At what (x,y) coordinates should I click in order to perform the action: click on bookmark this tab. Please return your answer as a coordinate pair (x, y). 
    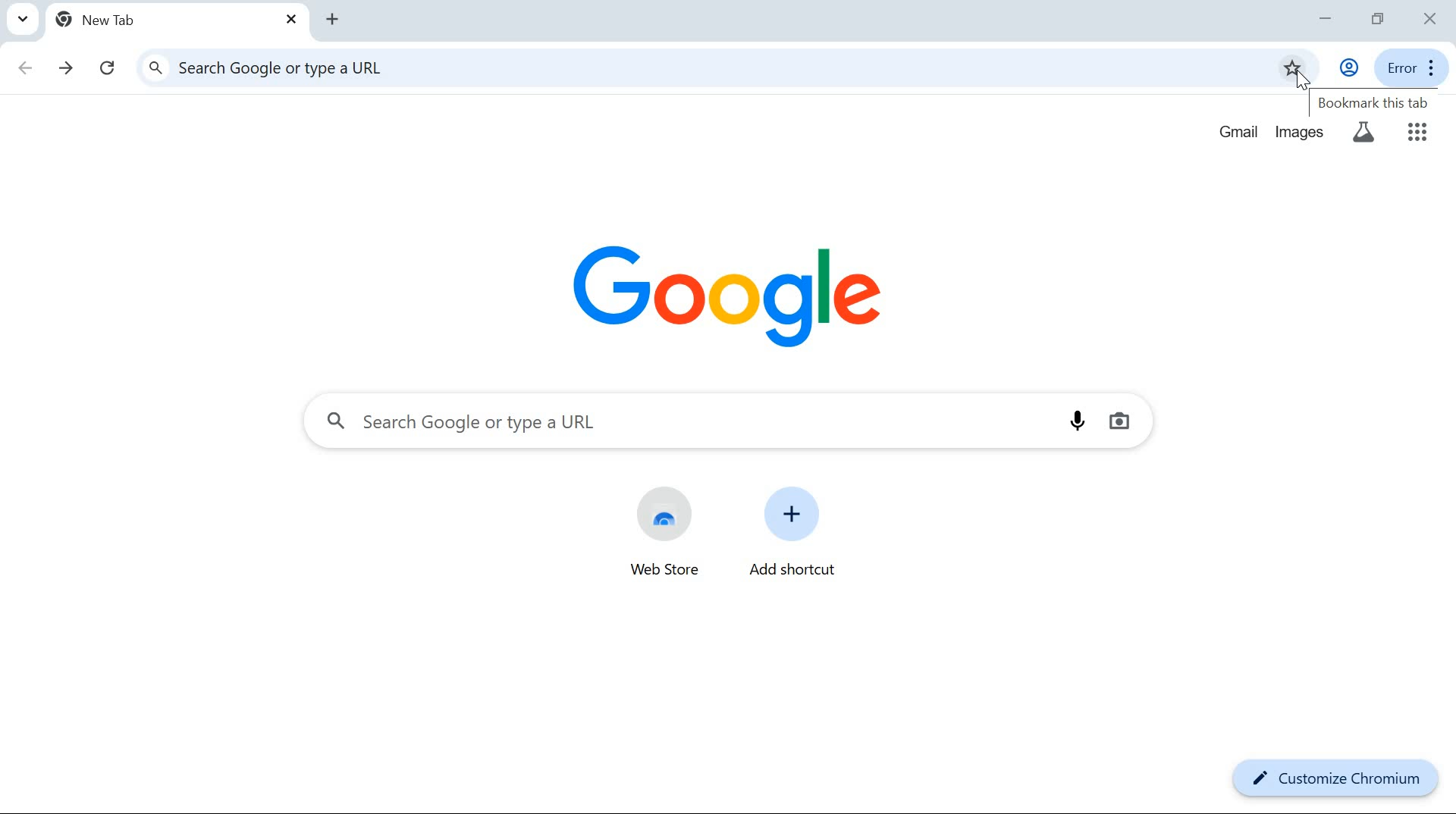
    Looking at the image, I should click on (1292, 67).